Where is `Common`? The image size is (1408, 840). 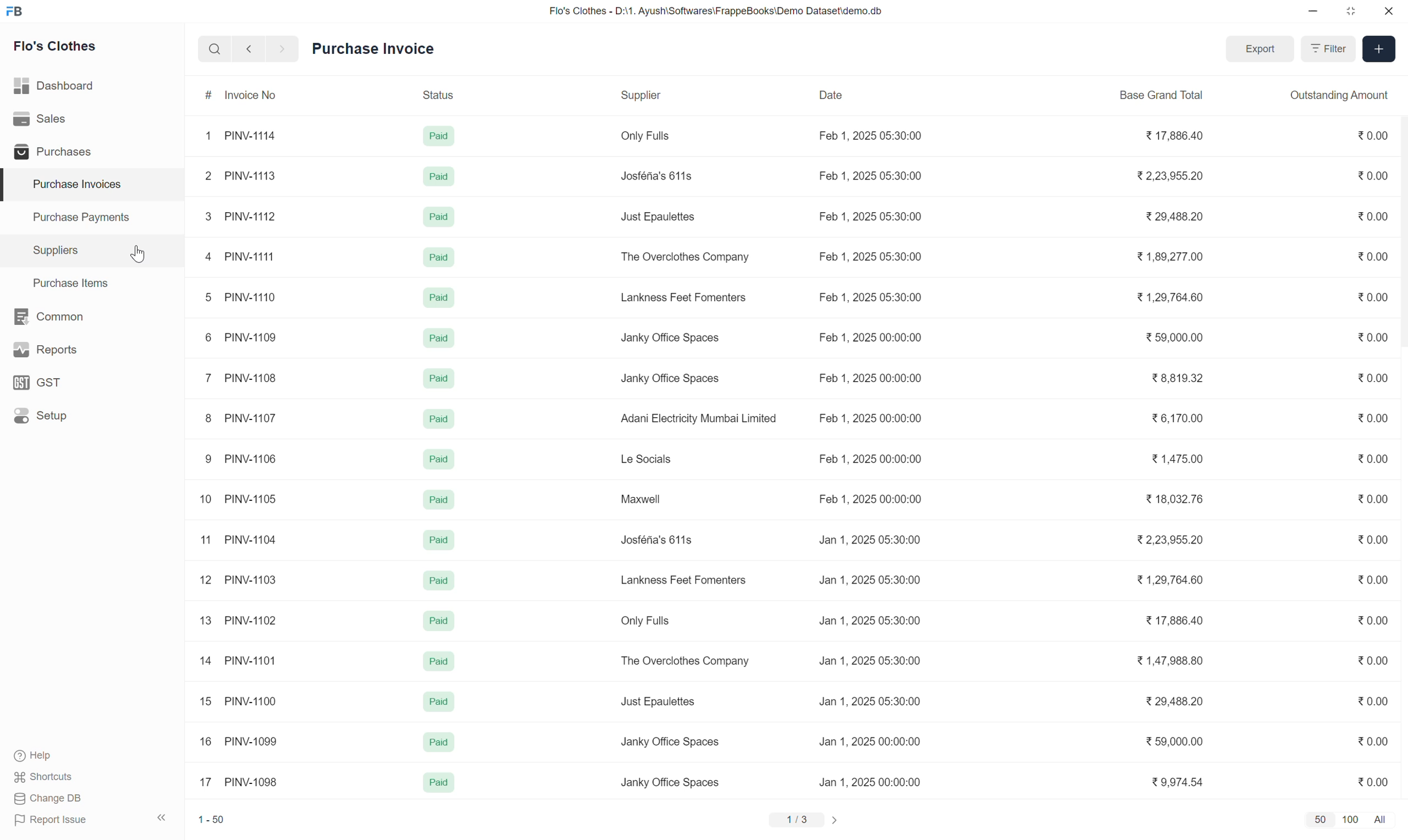 Common is located at coordinates (50, 317).